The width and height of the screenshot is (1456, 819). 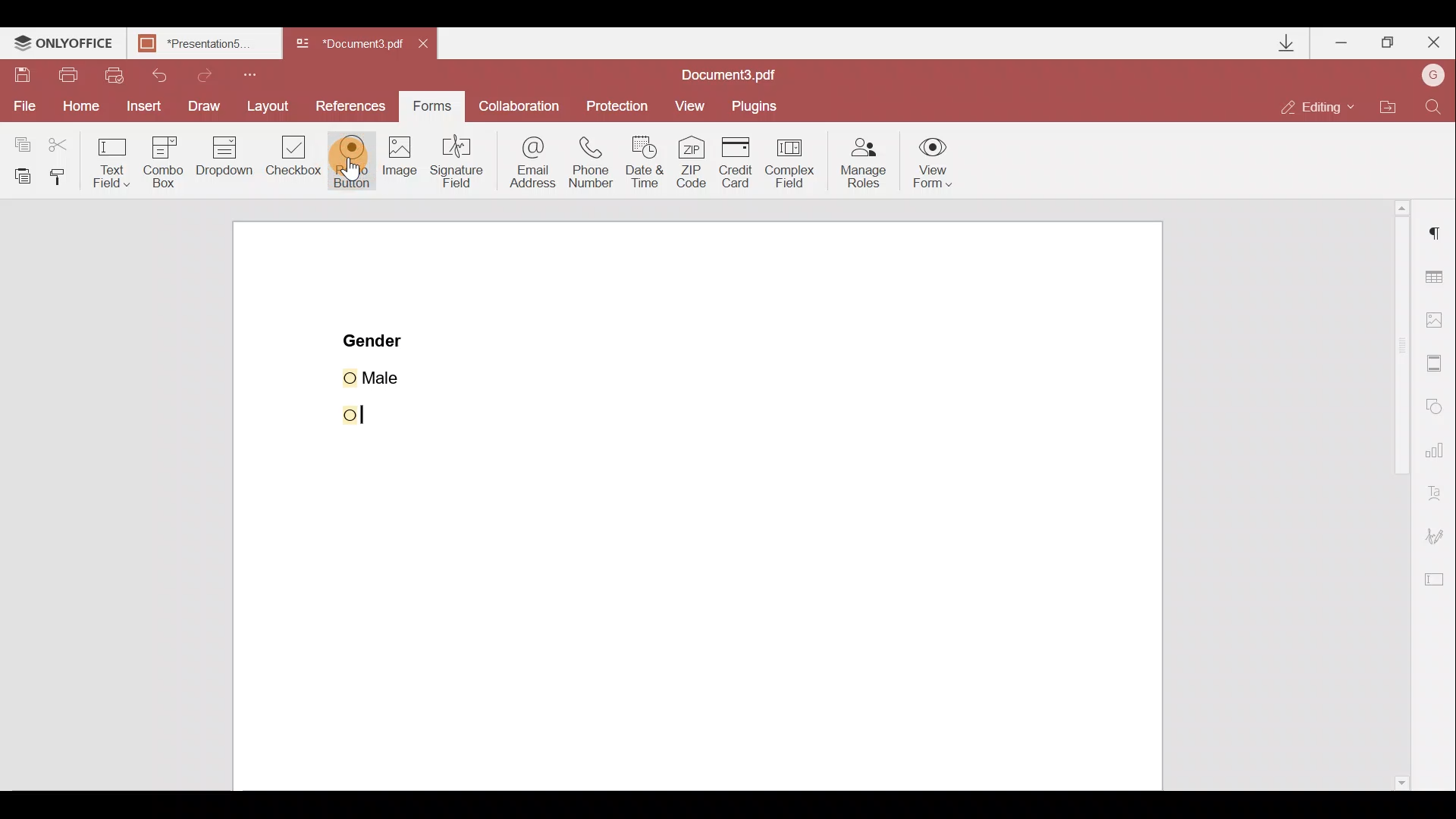 I want to click on Cursor, so click(x=362, y=165).